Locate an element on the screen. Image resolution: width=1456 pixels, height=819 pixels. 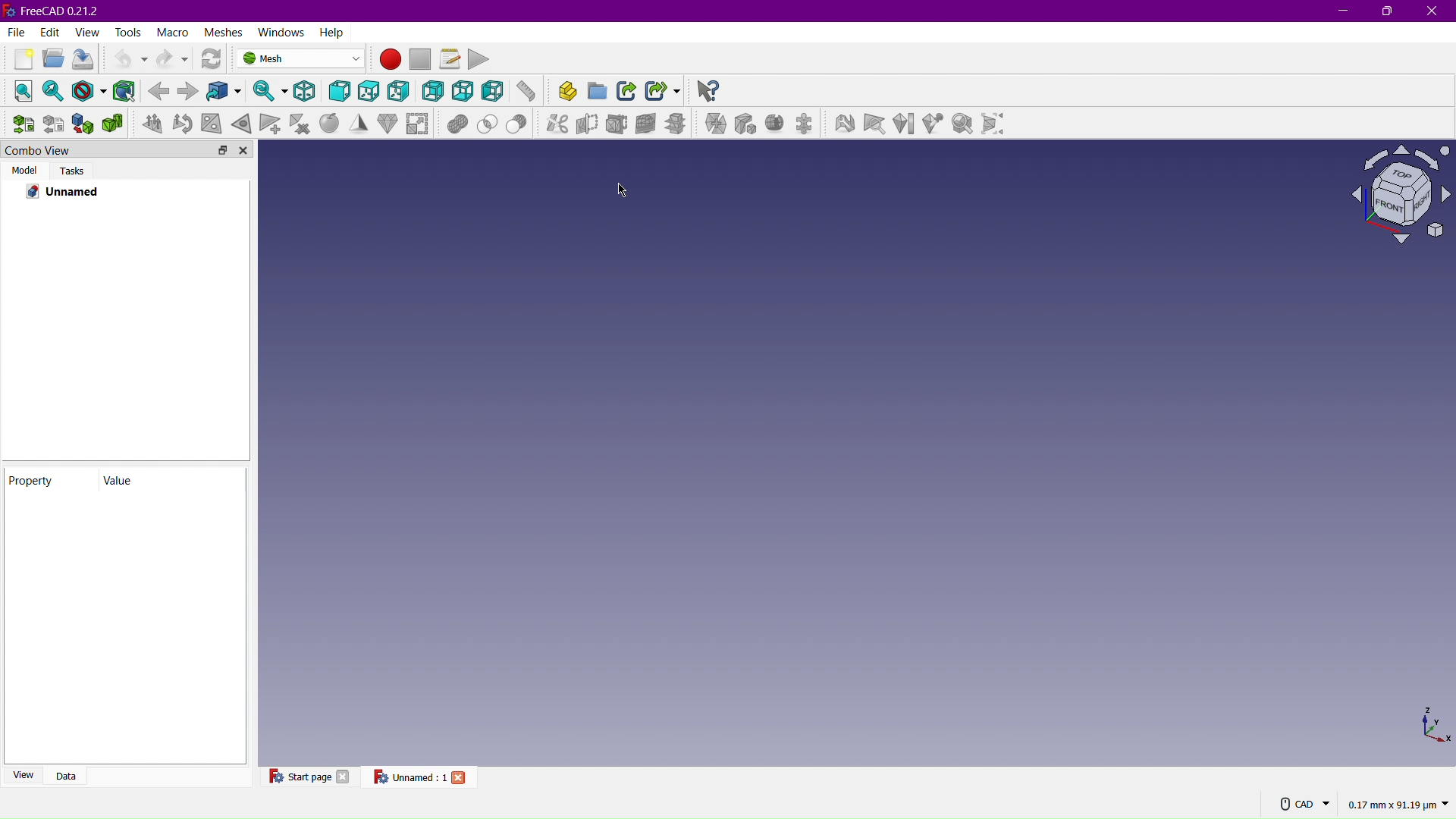
Redo is located at coordinates (172, 58).